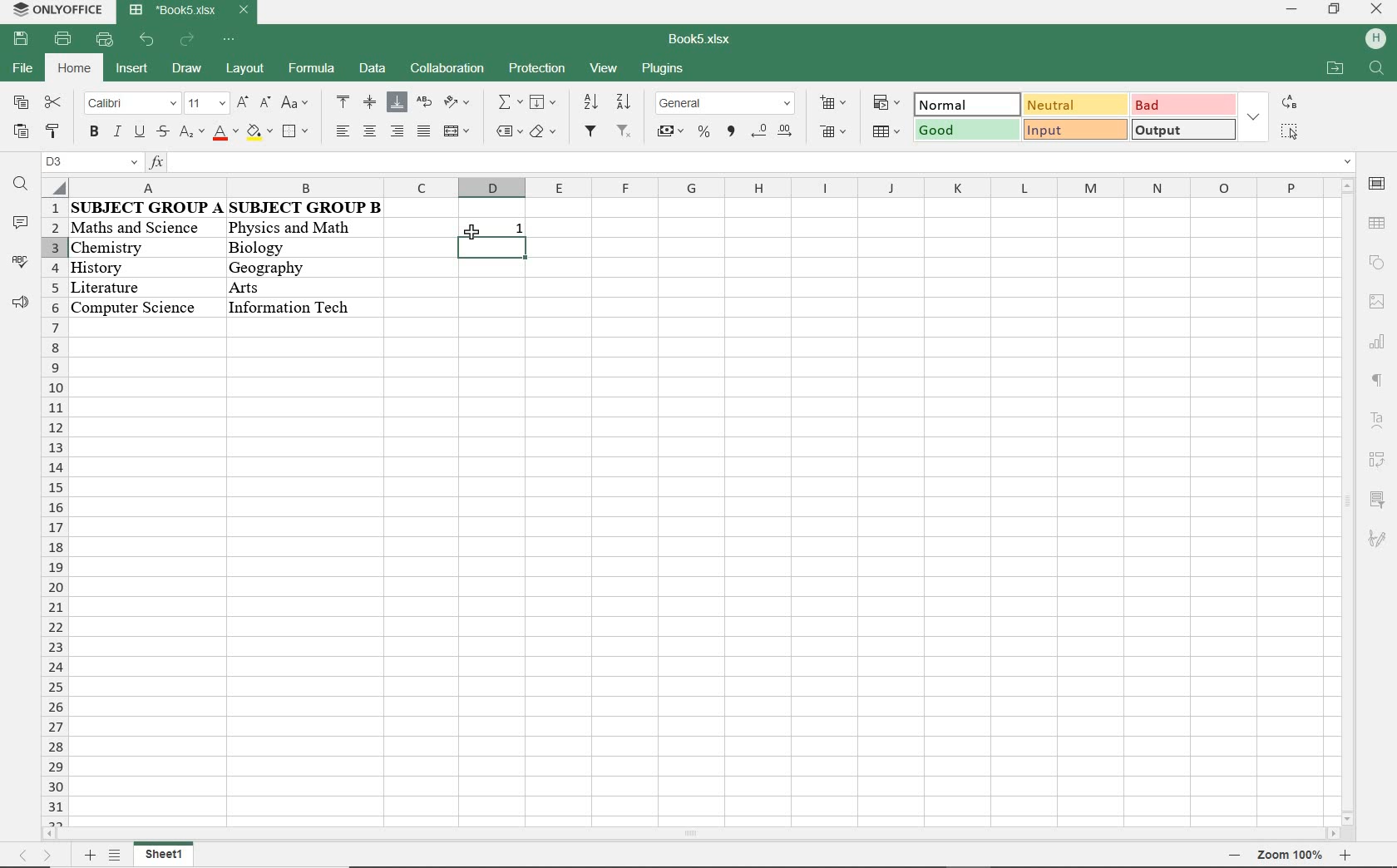 The width and height of the screenshot is (1397, 868). Describe the element at coordinates (1376, 460) in the screenshot. I see `sign` at that location.